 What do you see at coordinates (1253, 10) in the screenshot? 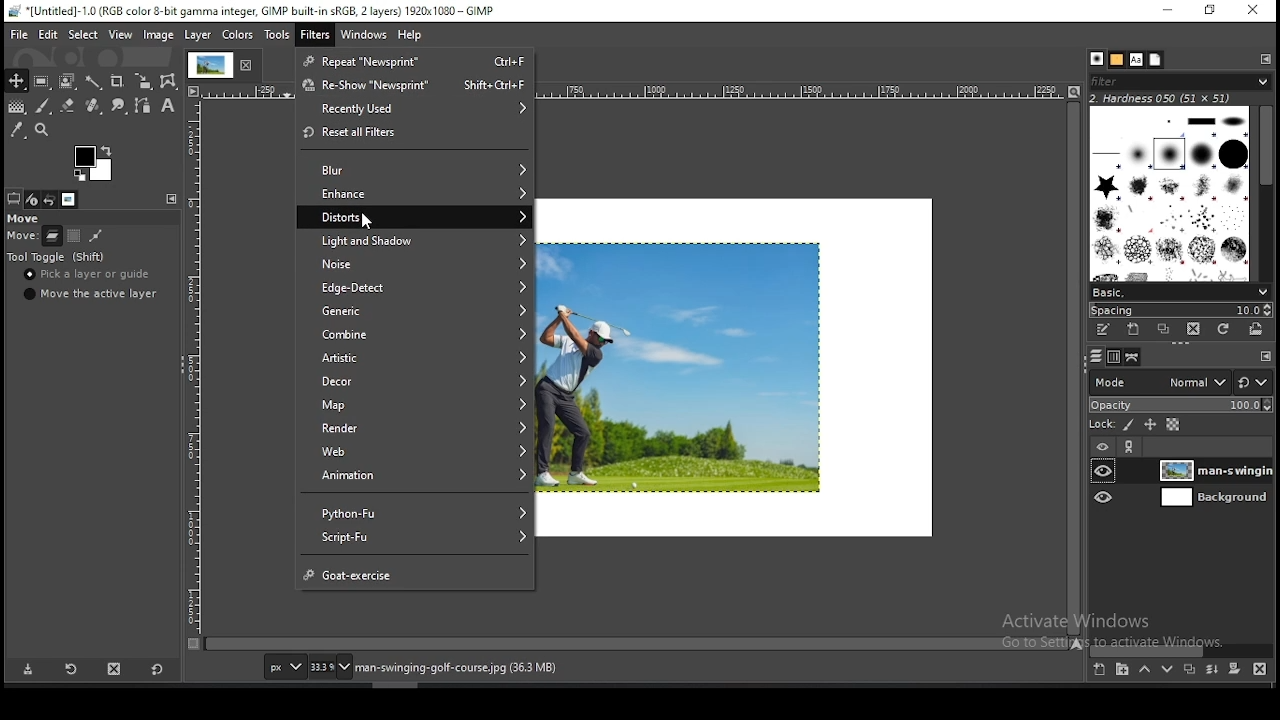
I see `close window` at bounding box center [1253, 10].